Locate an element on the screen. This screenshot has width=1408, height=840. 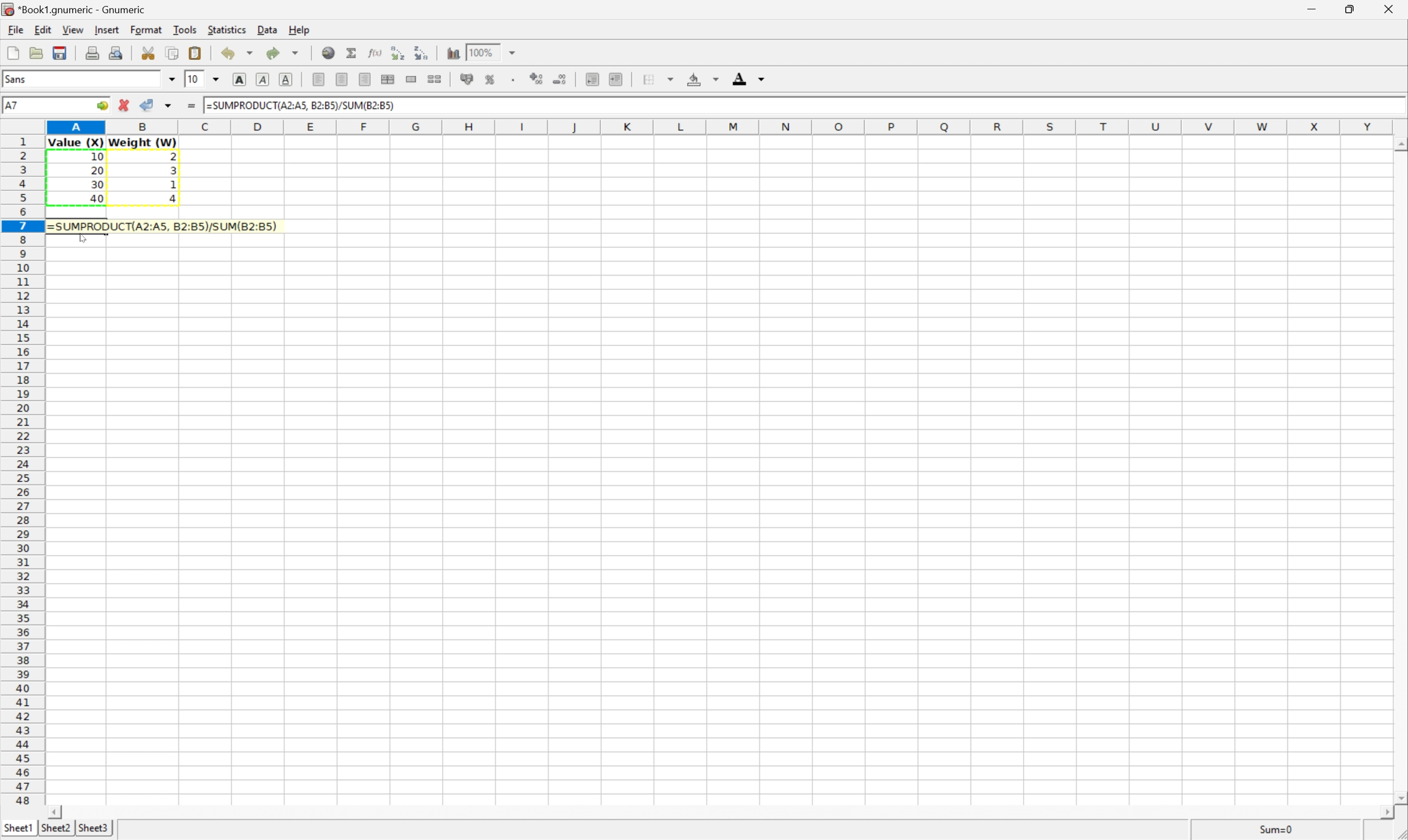
4 is located at coordinates (173, 200).